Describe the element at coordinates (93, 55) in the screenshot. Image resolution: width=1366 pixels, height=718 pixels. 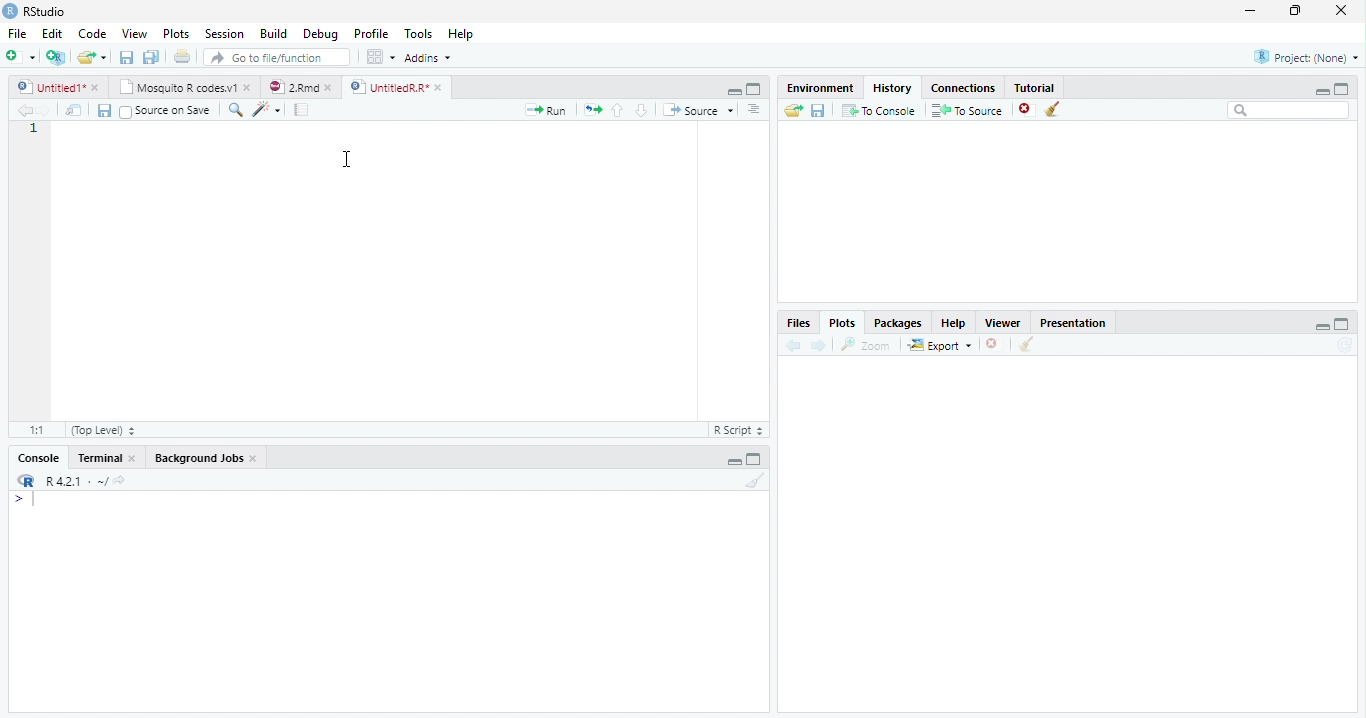
I see `Open Folder` at that location.